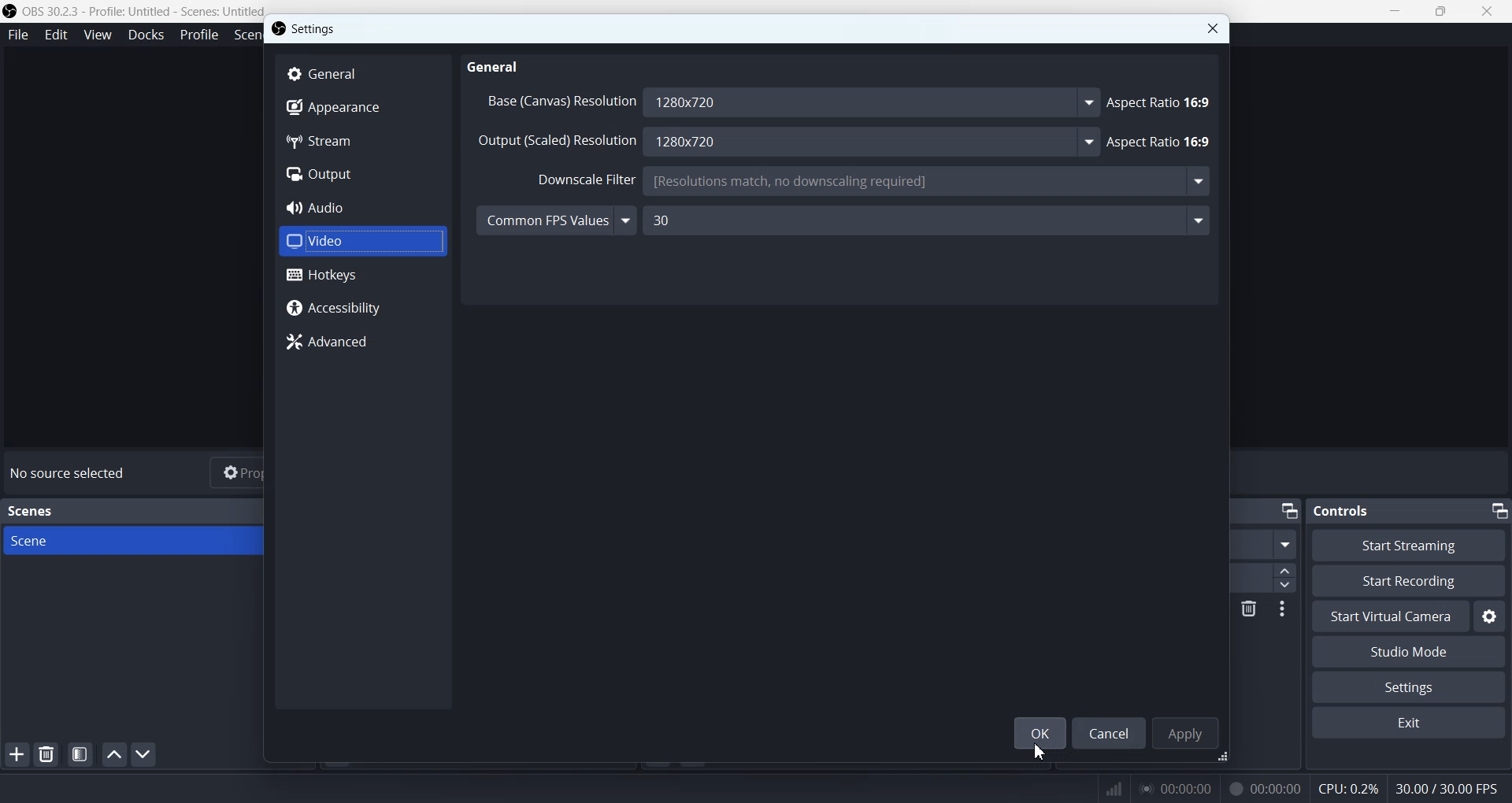 The width and height of the screenshot is (1512, 803). I want to click on Base (Canvas) Resolution 1280x720, so click(790, 103).